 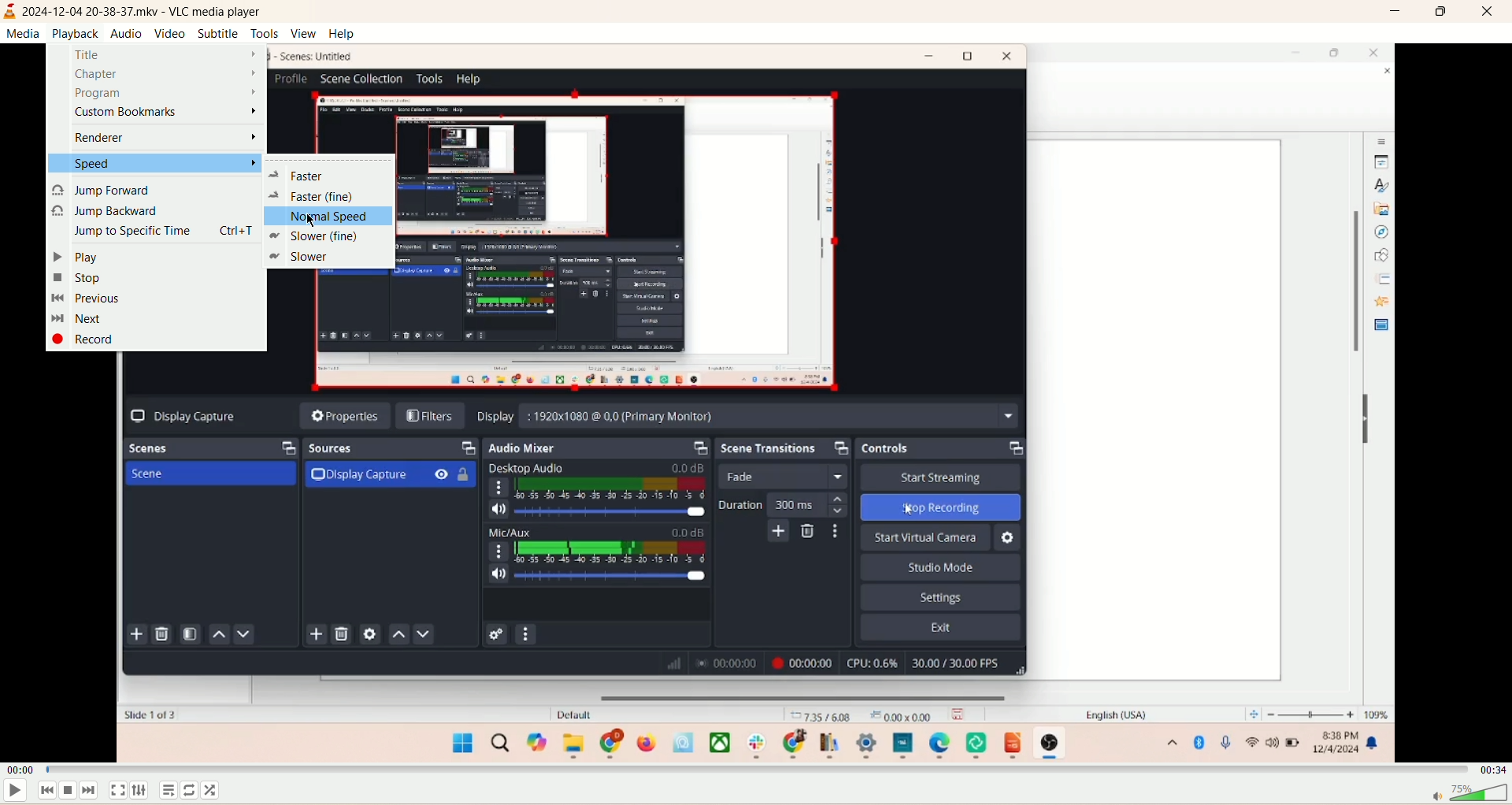 I want to click on program, so click(x=164, y=93).